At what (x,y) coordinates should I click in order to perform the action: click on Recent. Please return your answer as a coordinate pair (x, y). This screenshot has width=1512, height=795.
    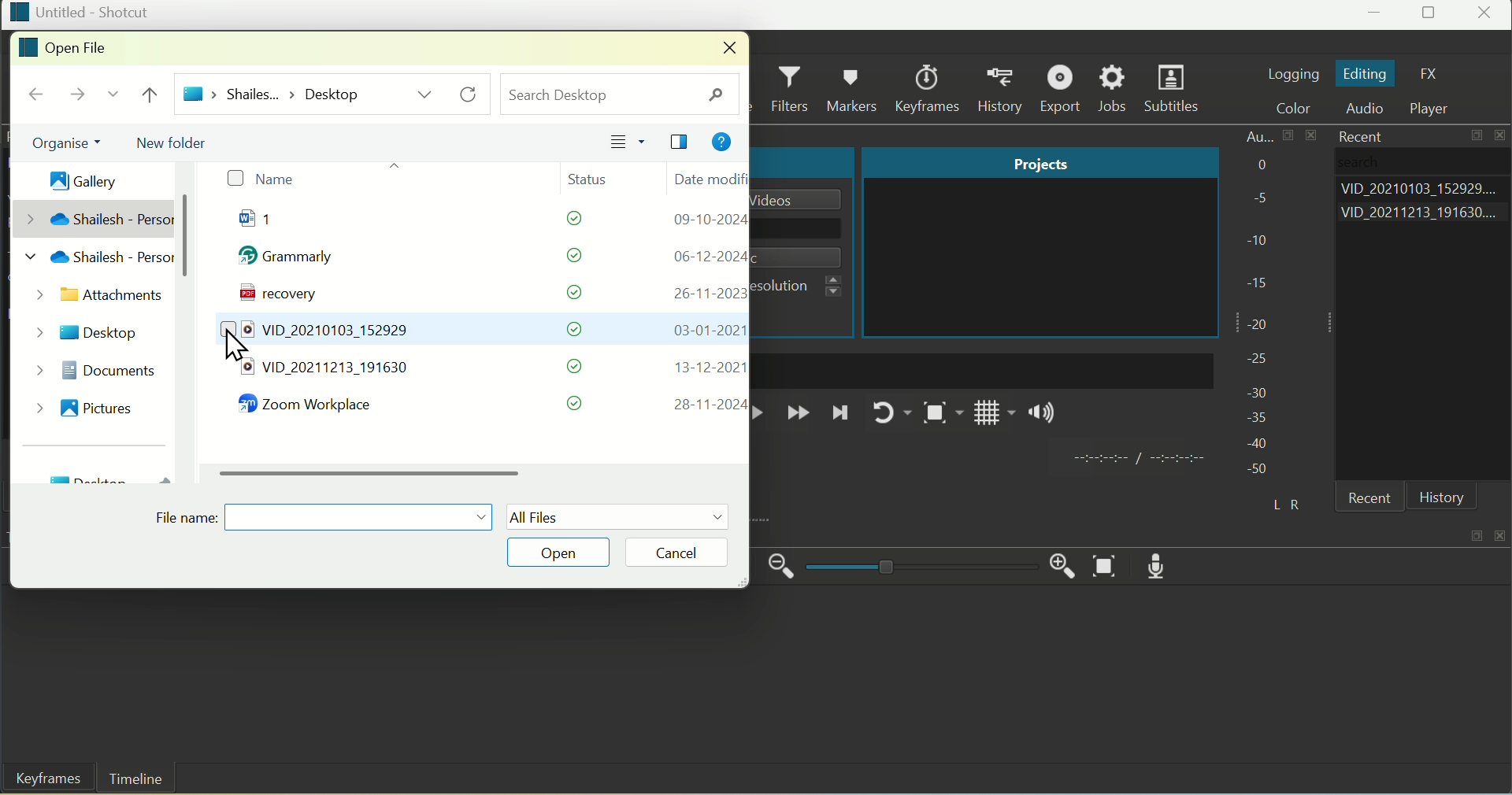
    Looking at the image, I should click on (1356, 135).